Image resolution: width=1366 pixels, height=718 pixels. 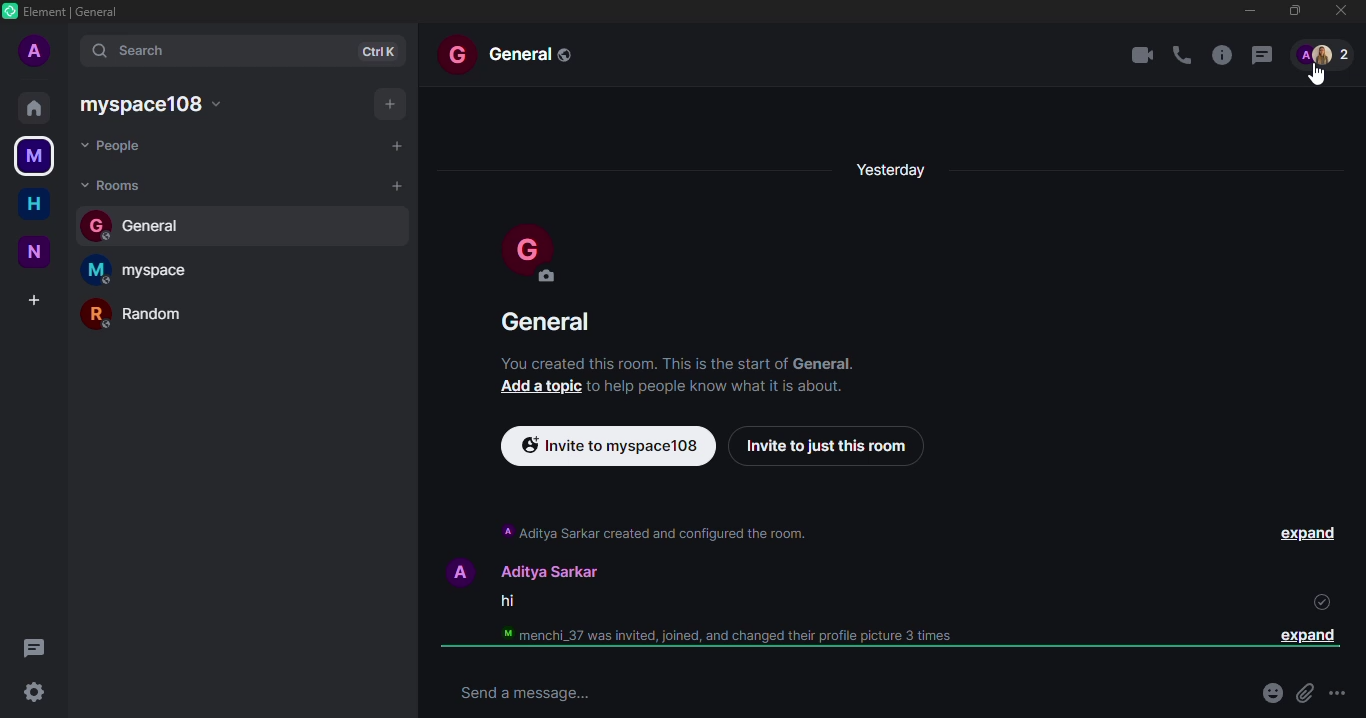 I want to click on expand, so click(x=1301, y=635).